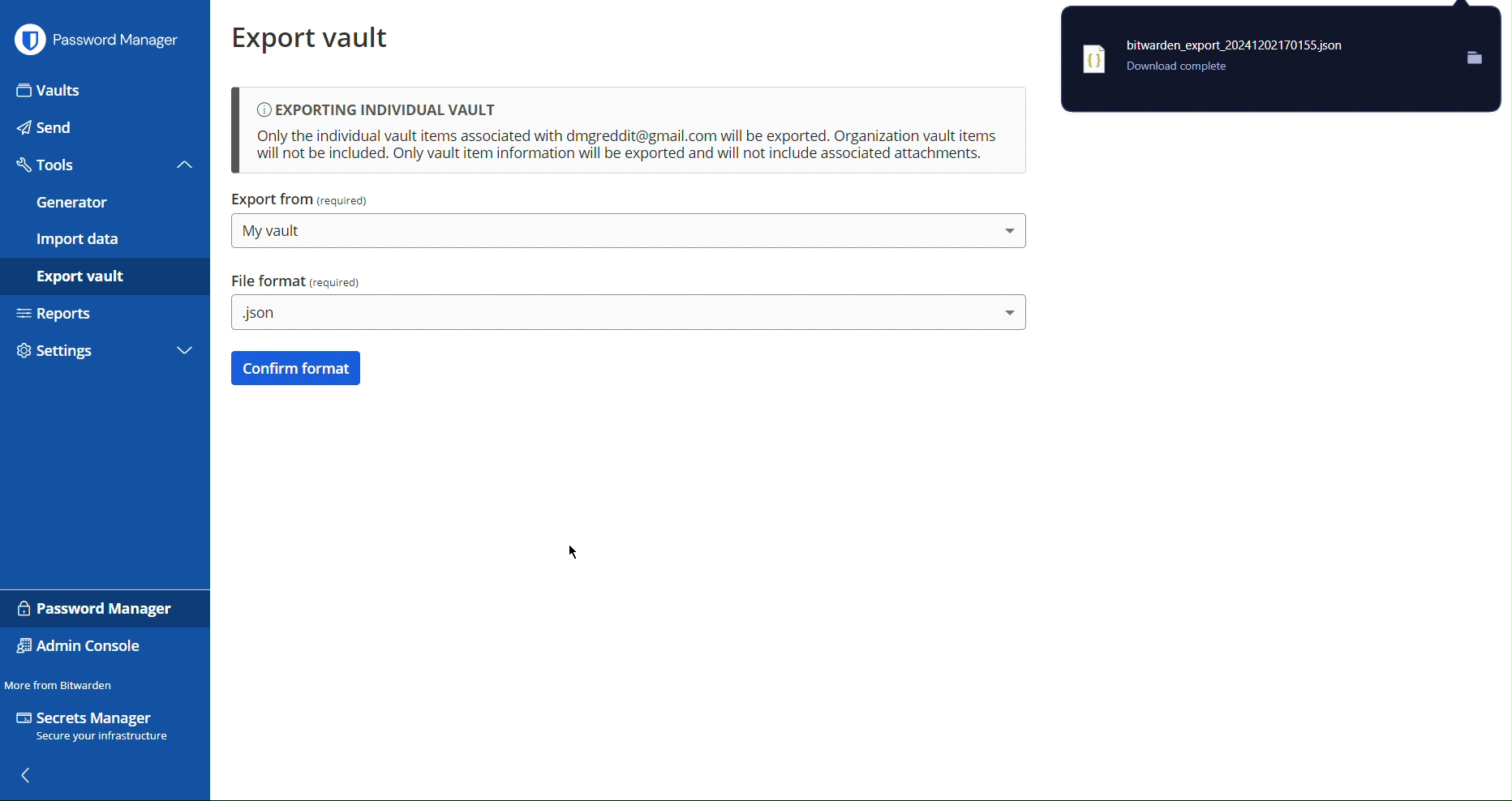  Describe the element at coordinates (296, 368) in the screenshot. I see `Confirm format` at that location.